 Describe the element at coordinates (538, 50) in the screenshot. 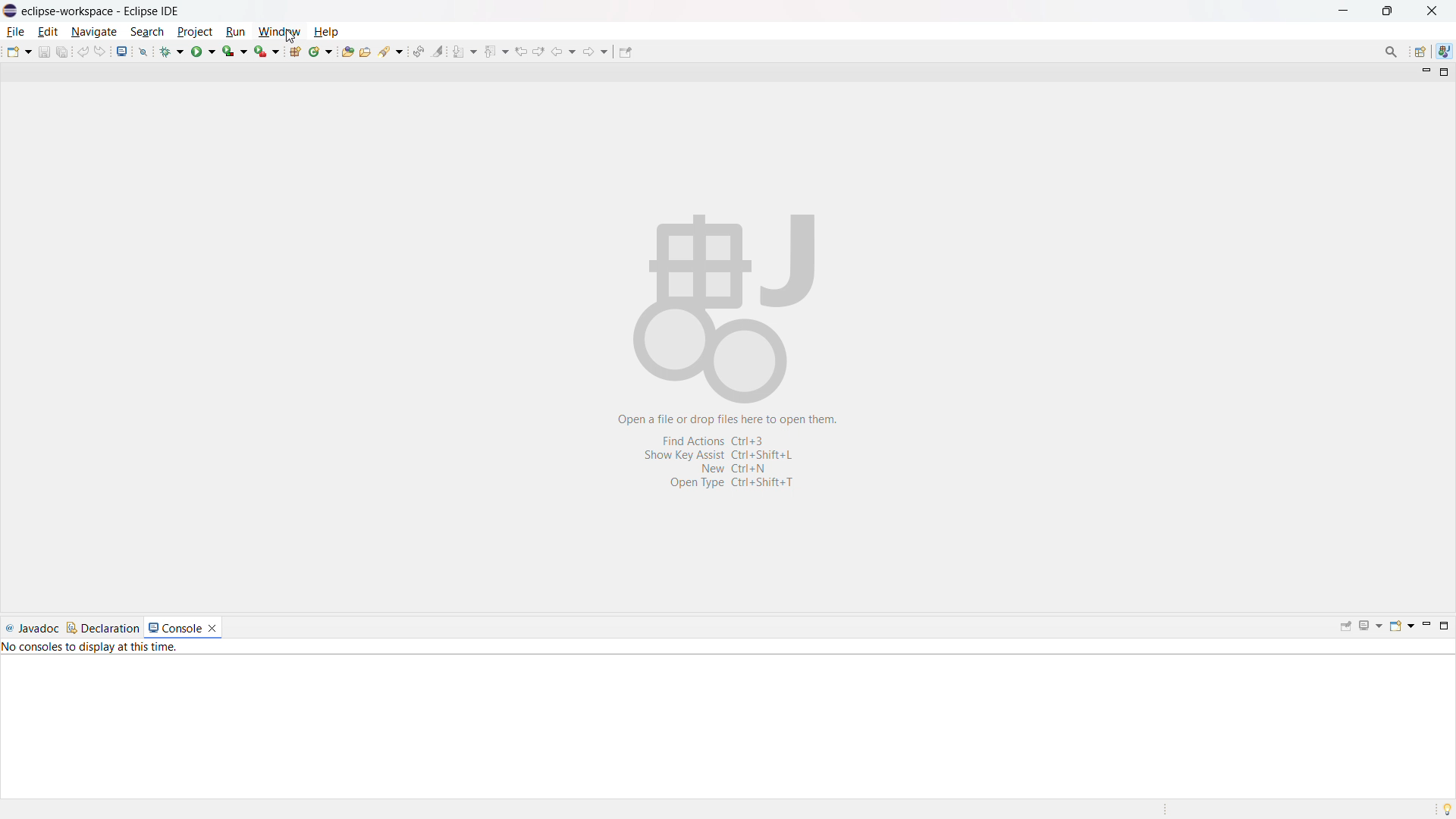

I see `view next location` at that location.